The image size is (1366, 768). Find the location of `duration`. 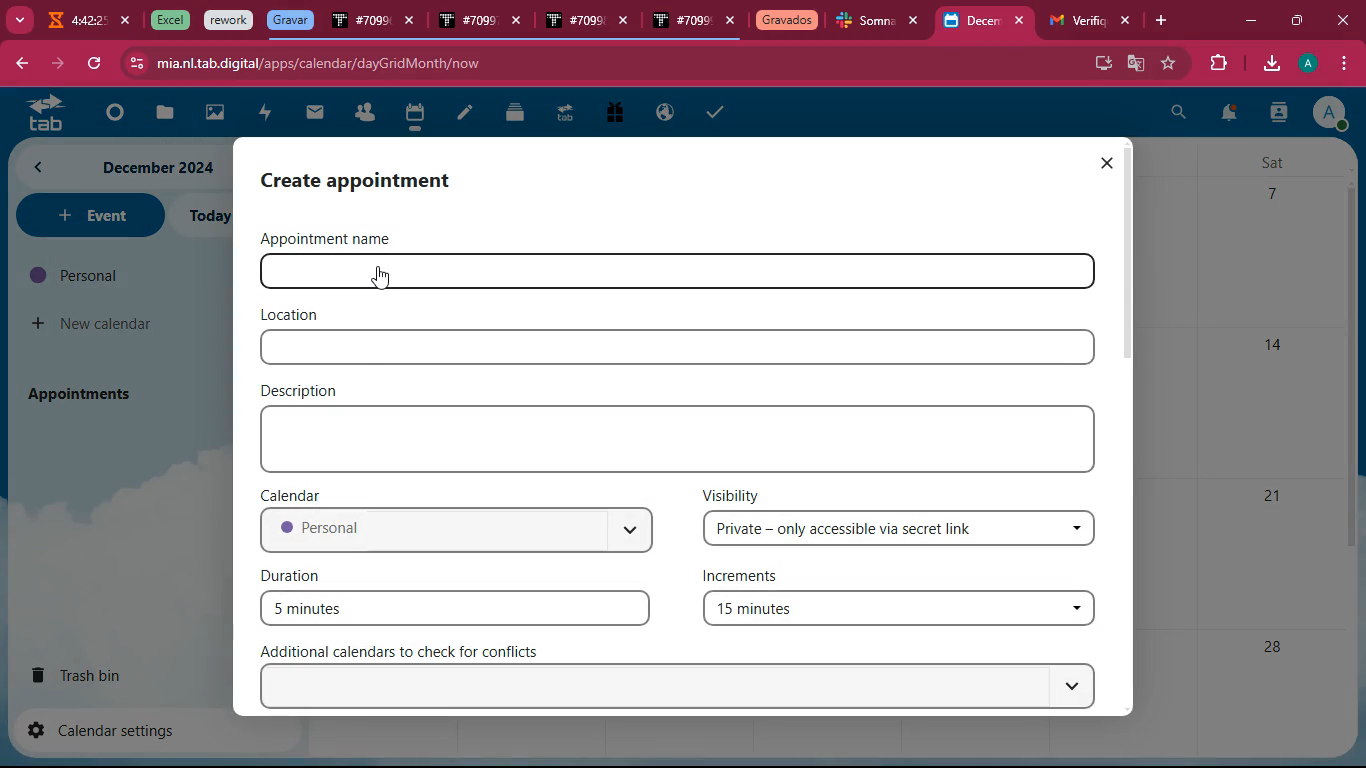

duration is located at coordinates (296, 574).